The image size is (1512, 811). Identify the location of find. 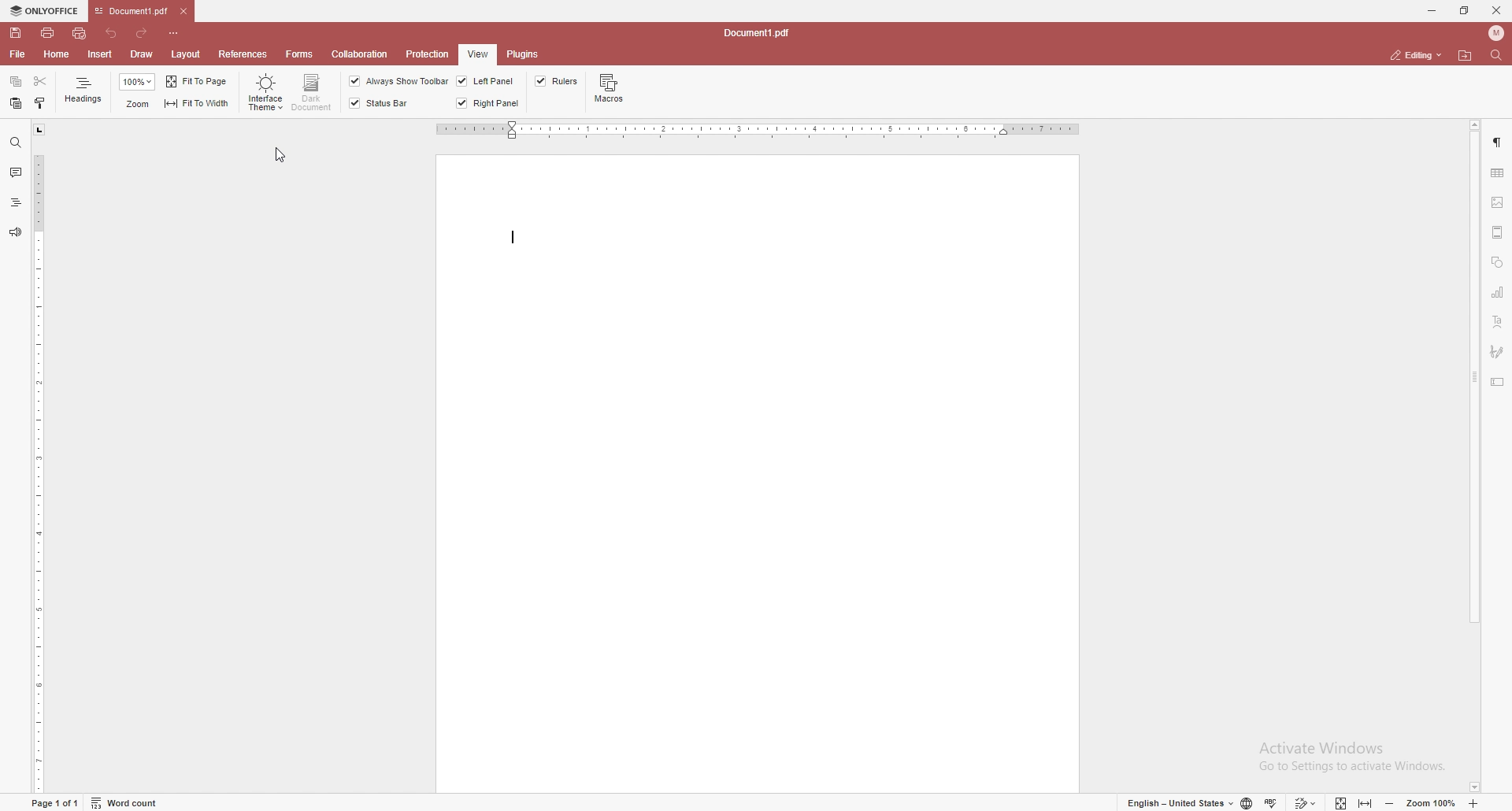
(15, 143).